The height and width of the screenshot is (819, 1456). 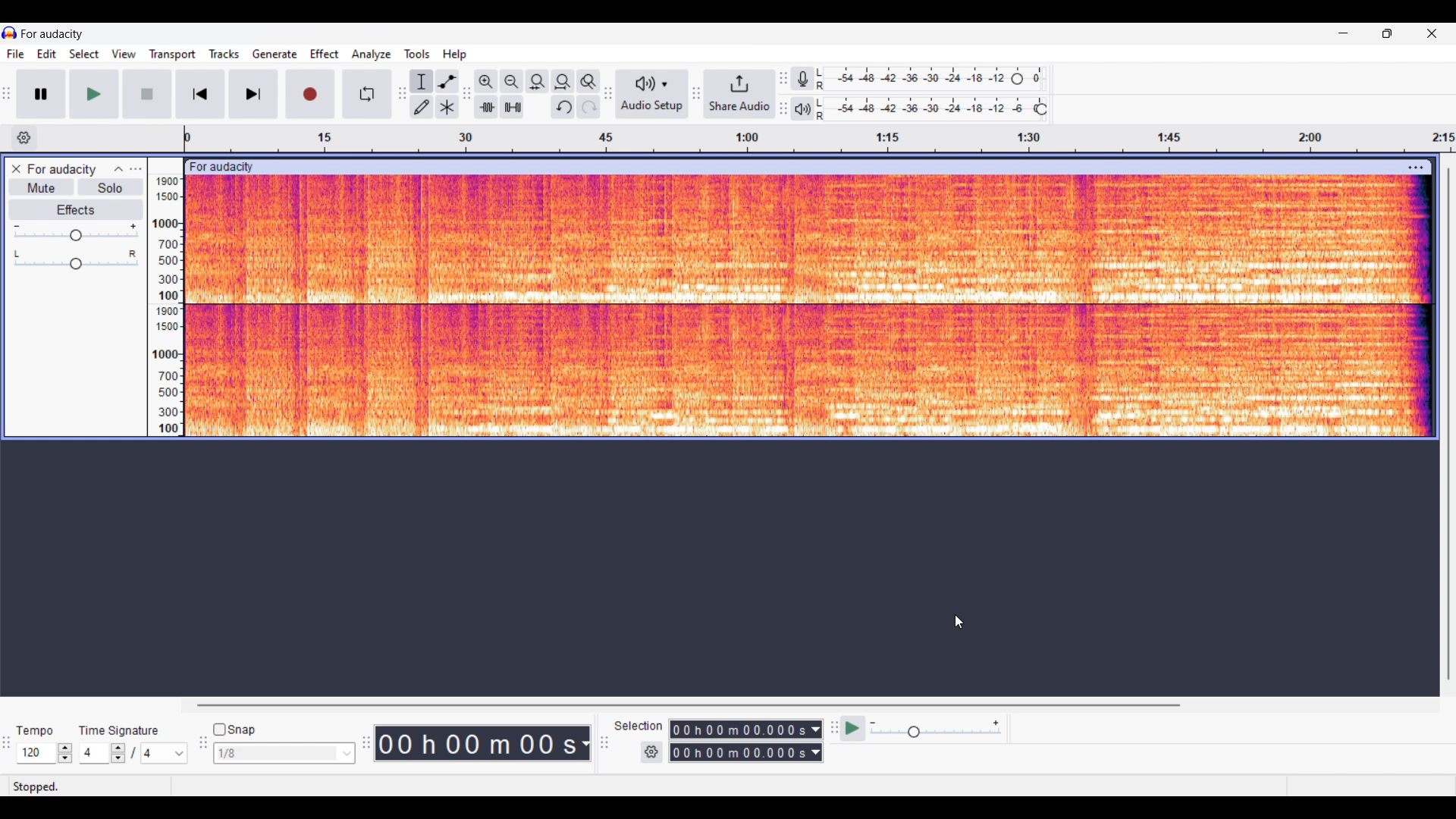 I want to click on Fit projection to width, so click(x=563, y=82).